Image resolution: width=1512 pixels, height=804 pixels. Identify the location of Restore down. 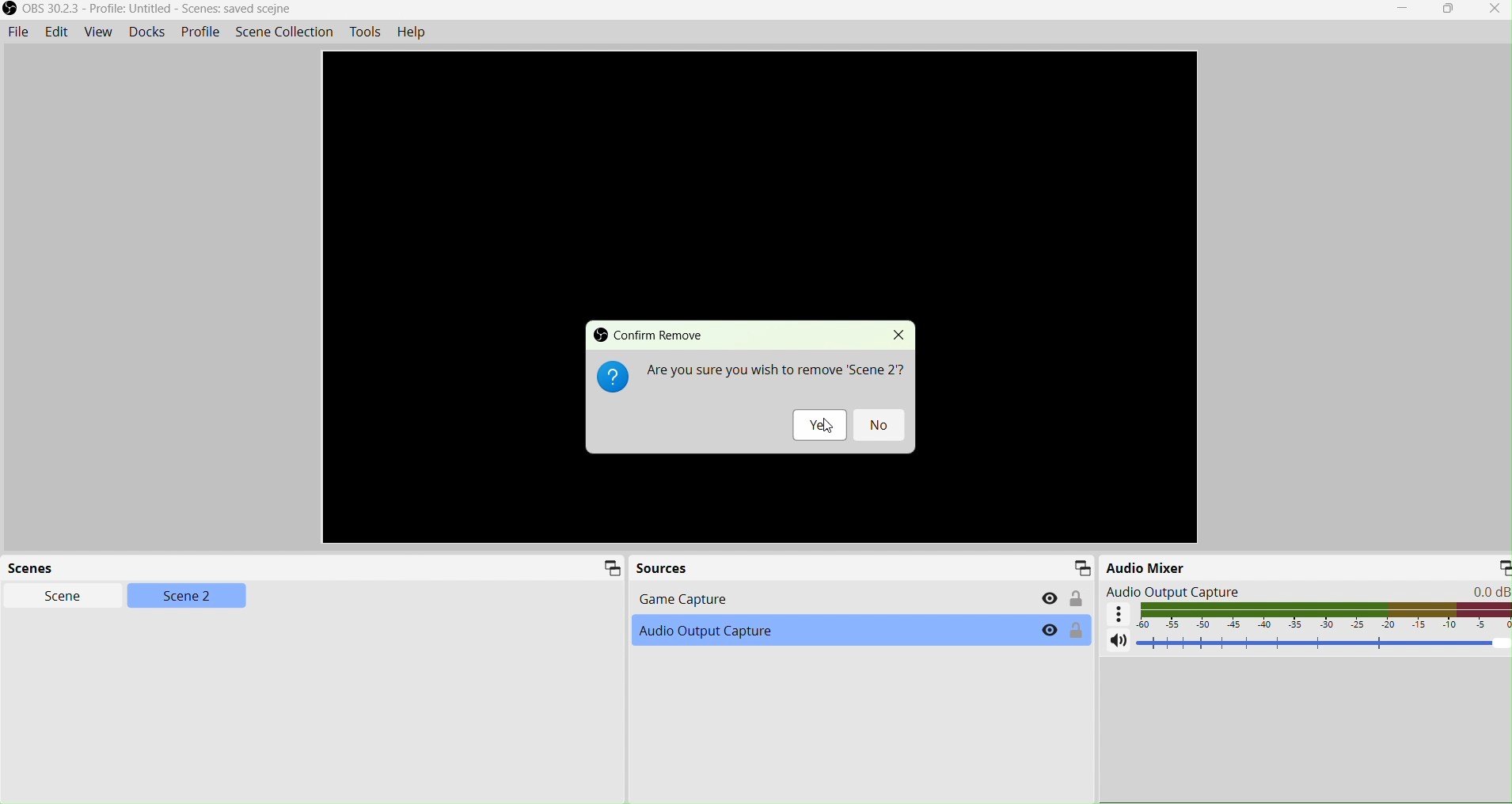
(1446, 10).